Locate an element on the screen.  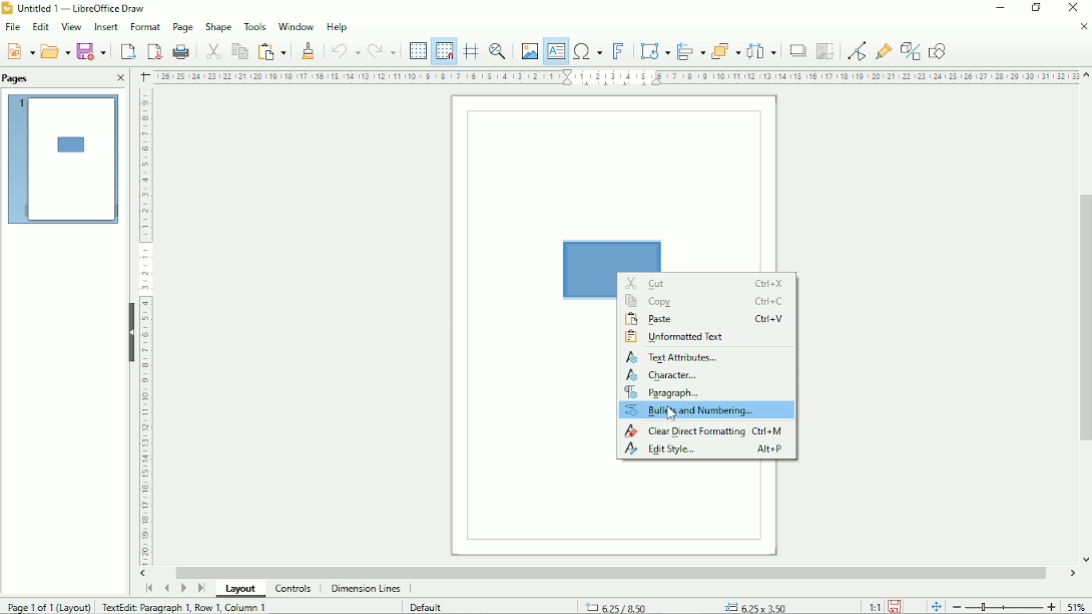
Minimize is located at coordinates (1001, 8).